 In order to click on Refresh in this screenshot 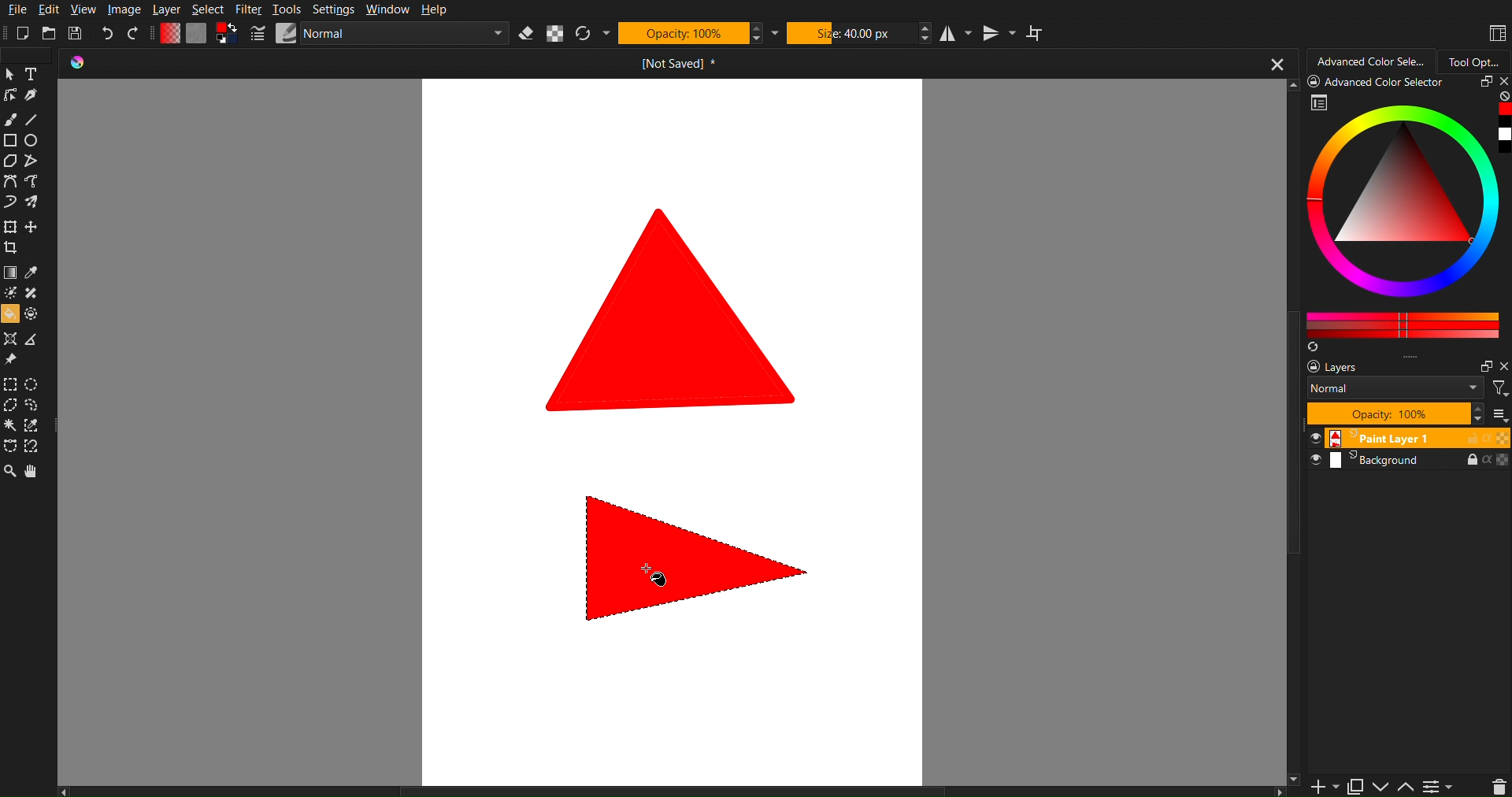, I will do `click(585, 34)`.